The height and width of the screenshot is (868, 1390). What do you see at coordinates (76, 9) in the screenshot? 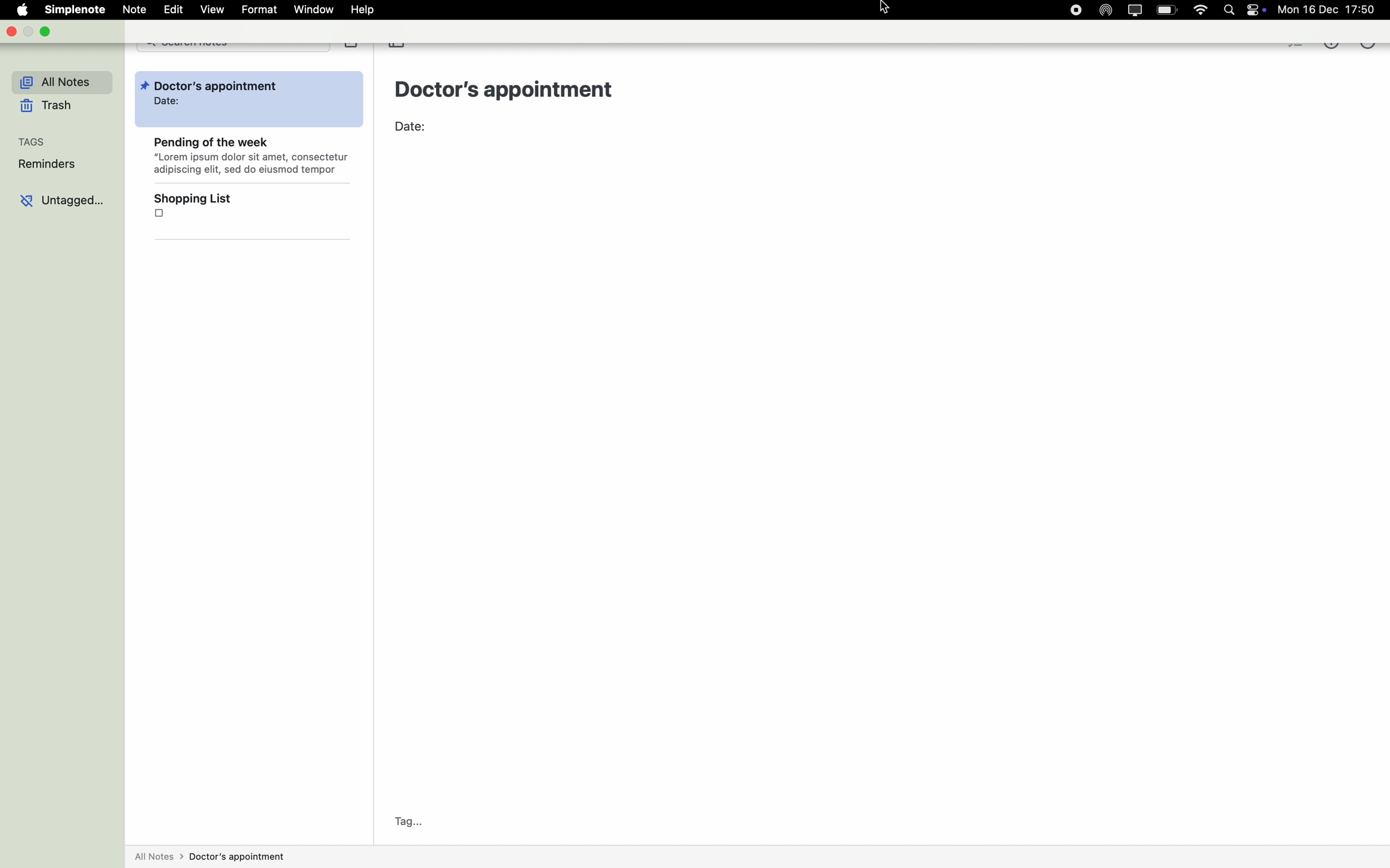
I see `Simplenote` at bounding box center [76, 9].